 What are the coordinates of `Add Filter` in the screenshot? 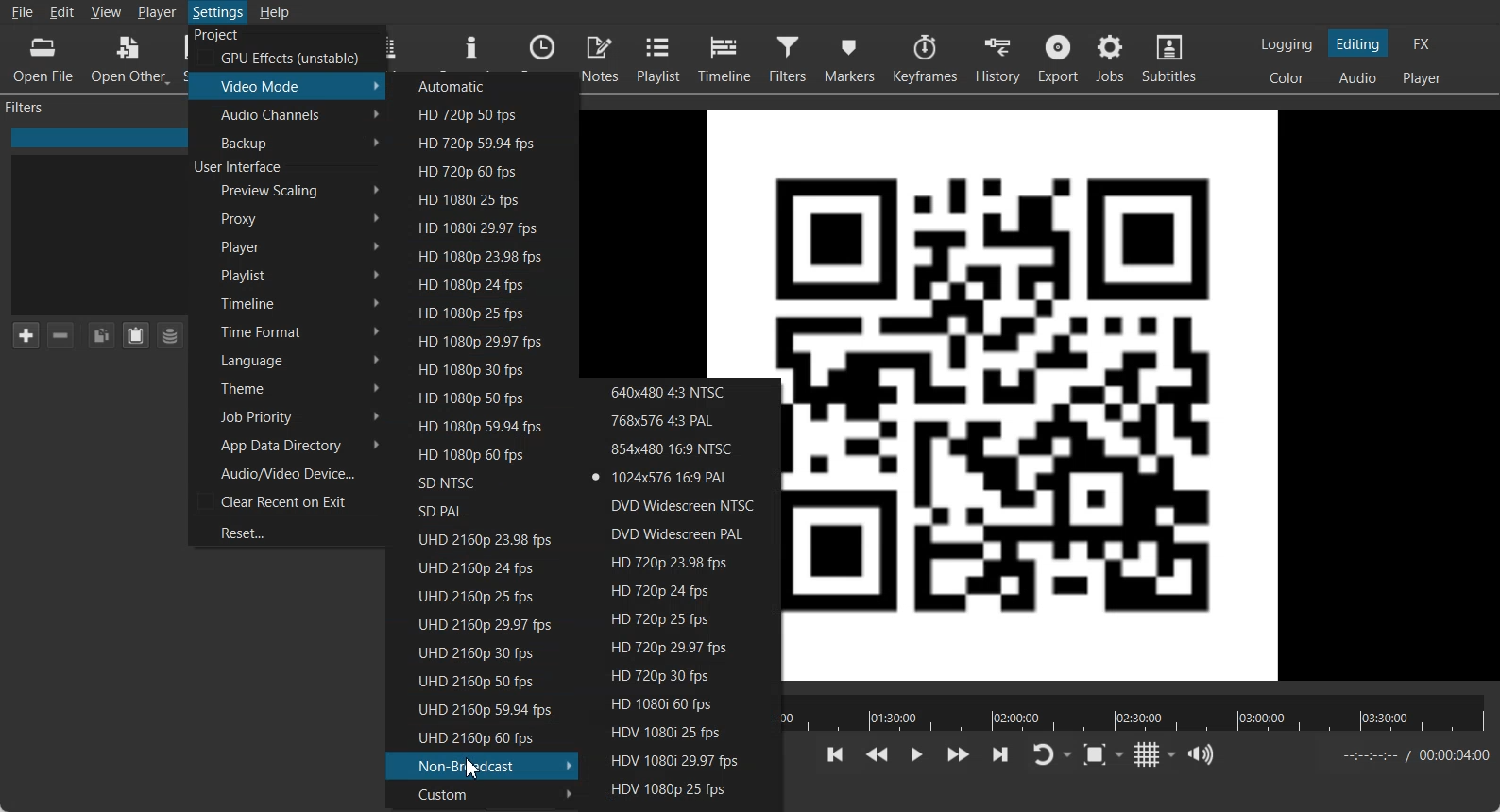 It's located at (25, 334).